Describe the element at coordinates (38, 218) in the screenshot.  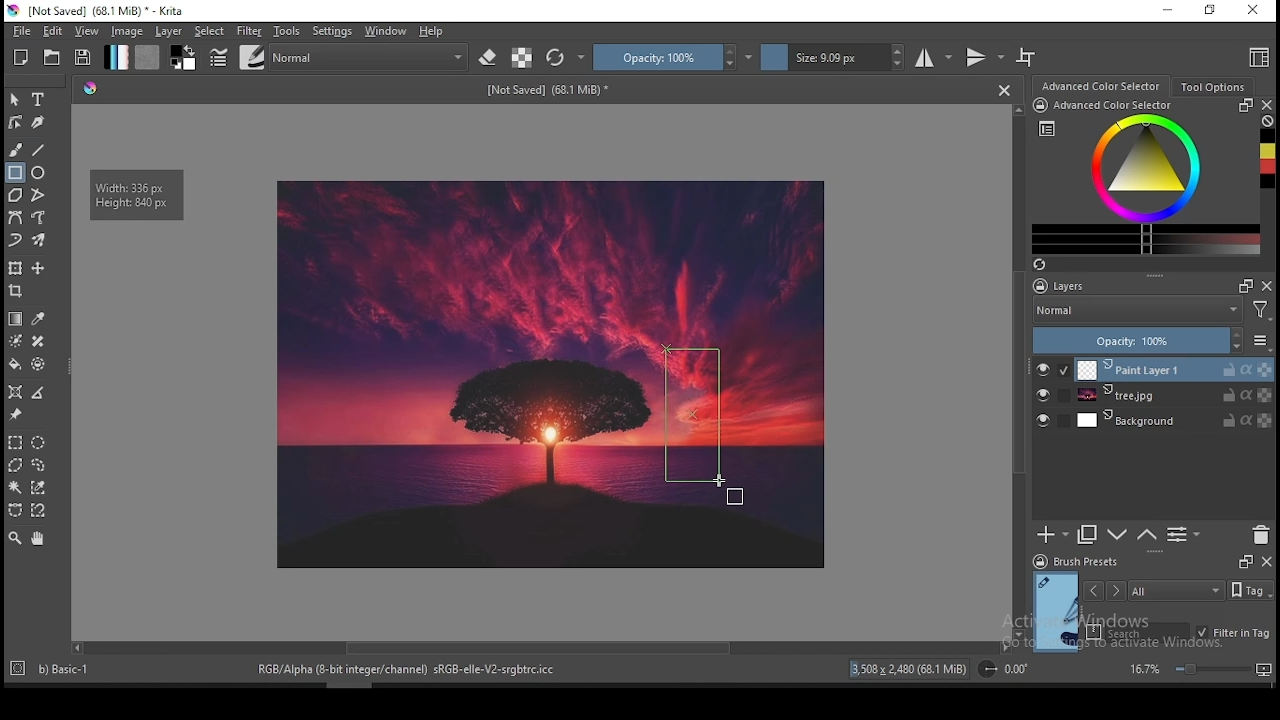
I see `freehand path tool` at that location.